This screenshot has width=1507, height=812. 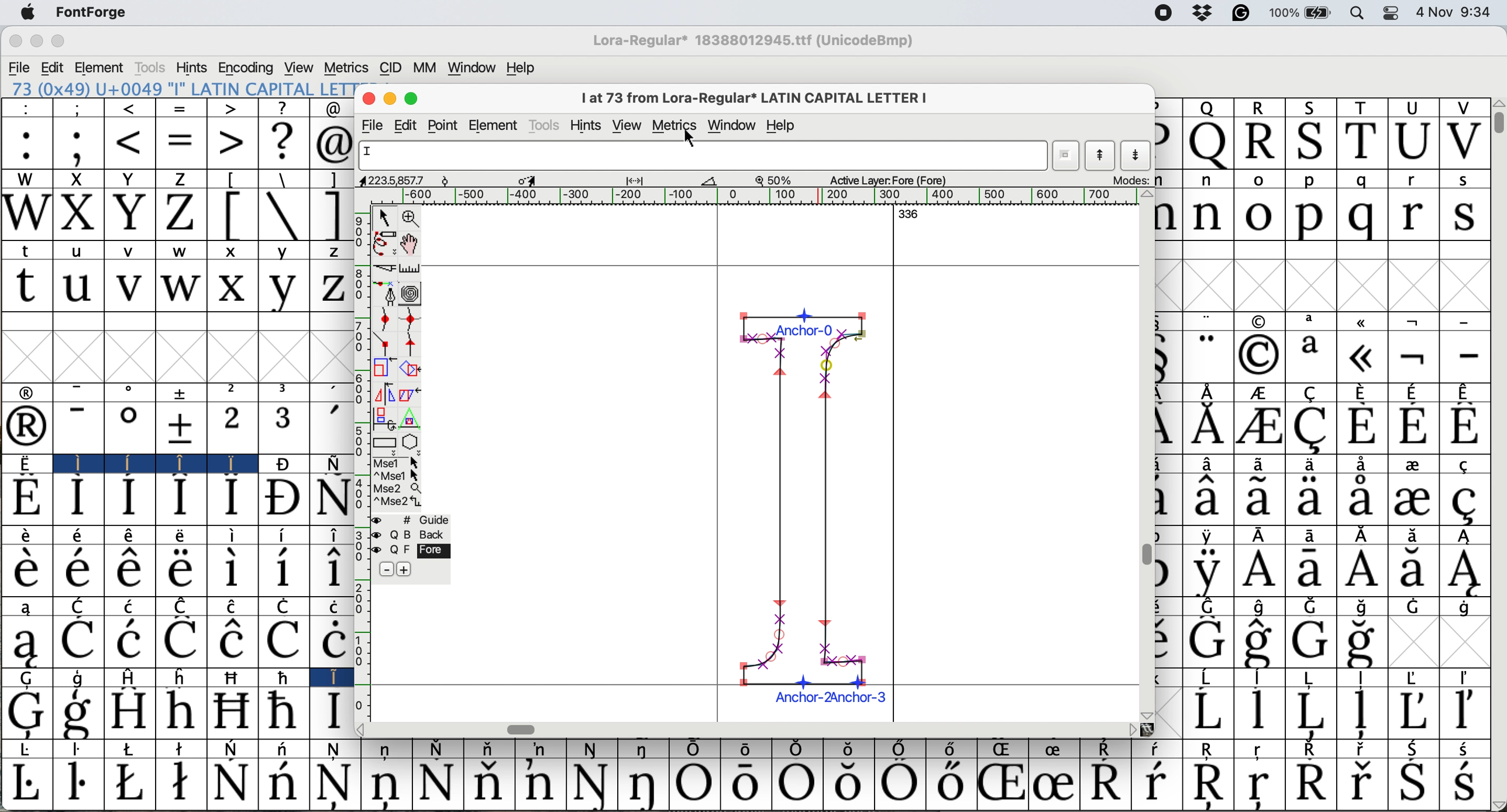 I want to click on Symbol, so click(x=436, y=748).